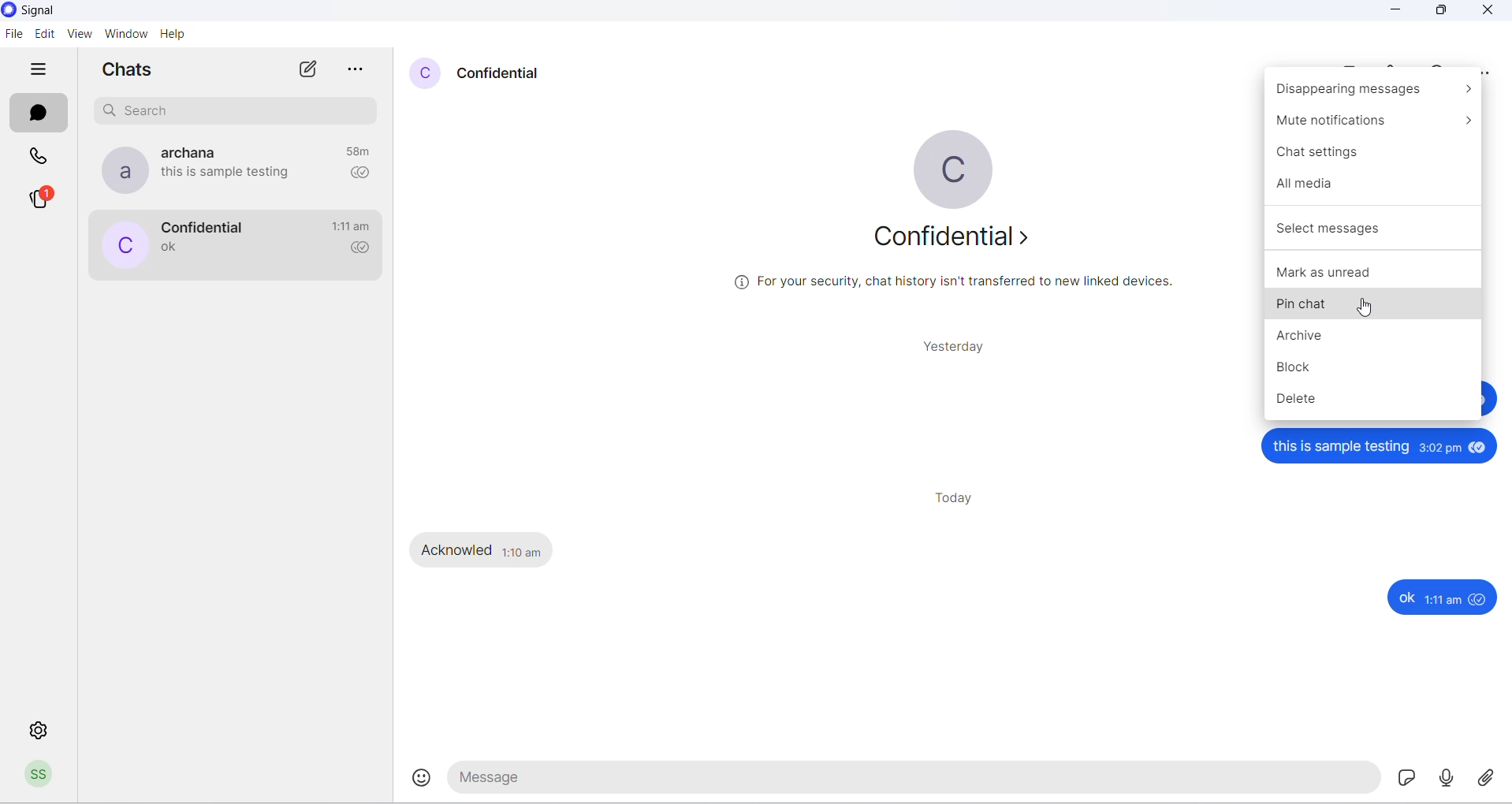 The image size is (1512, 804). I want to click on 1:10am, so click(521, 549).